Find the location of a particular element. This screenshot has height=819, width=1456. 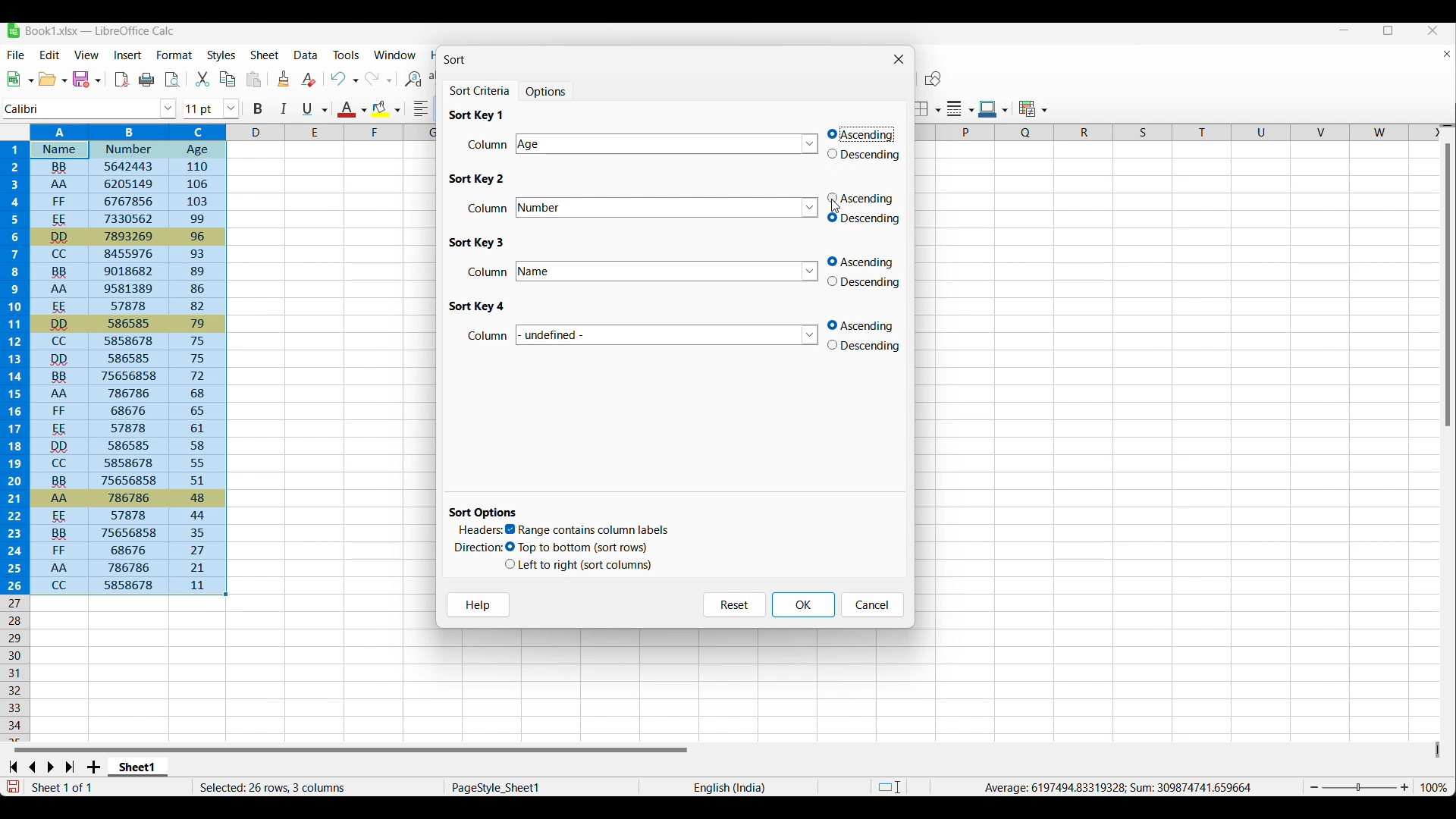

Current highlighted color and other options is located at coordinates (385, 109).